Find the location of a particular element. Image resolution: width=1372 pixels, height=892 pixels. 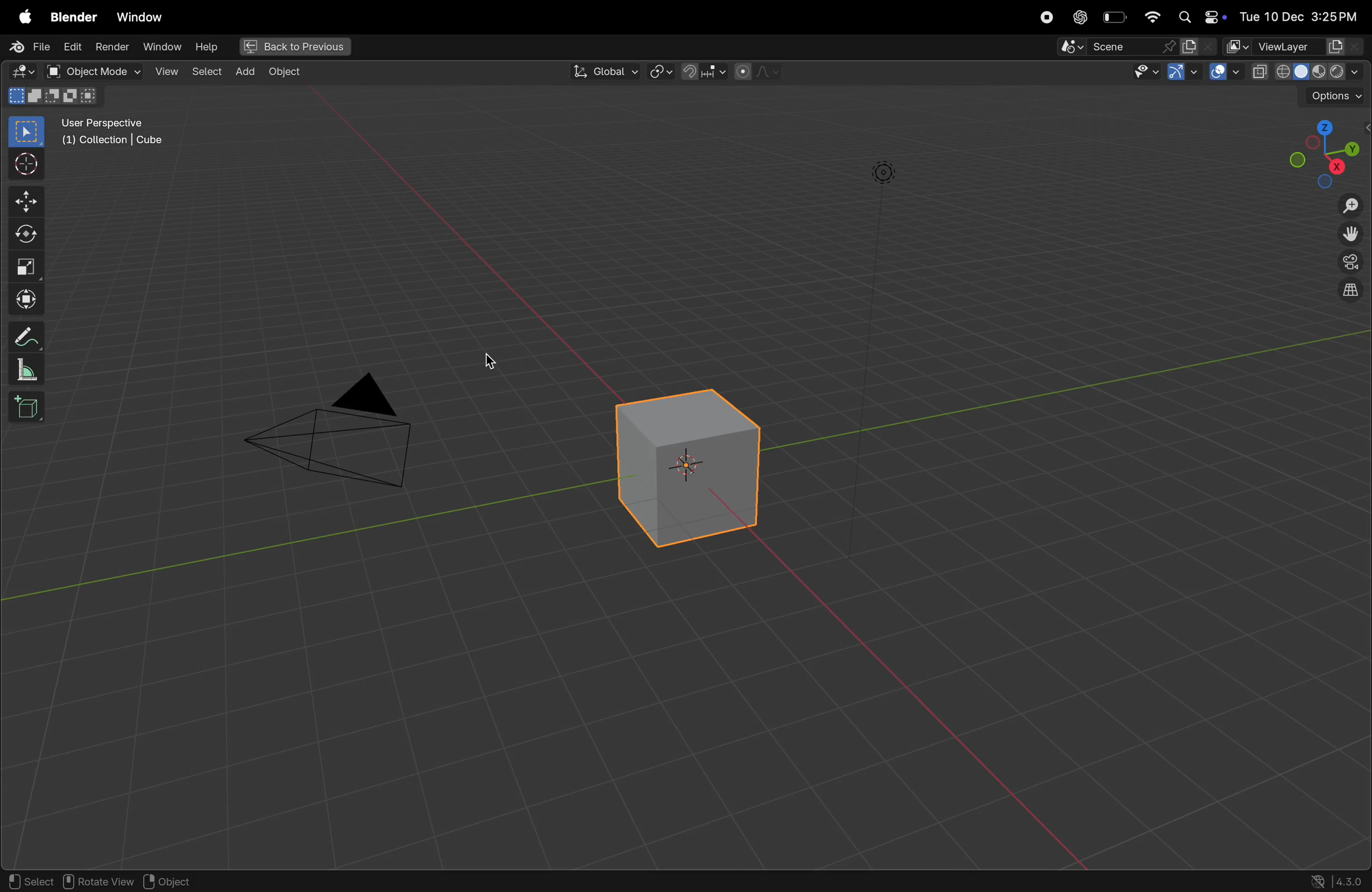

toggle camera is located at coordinates (1349, 263).